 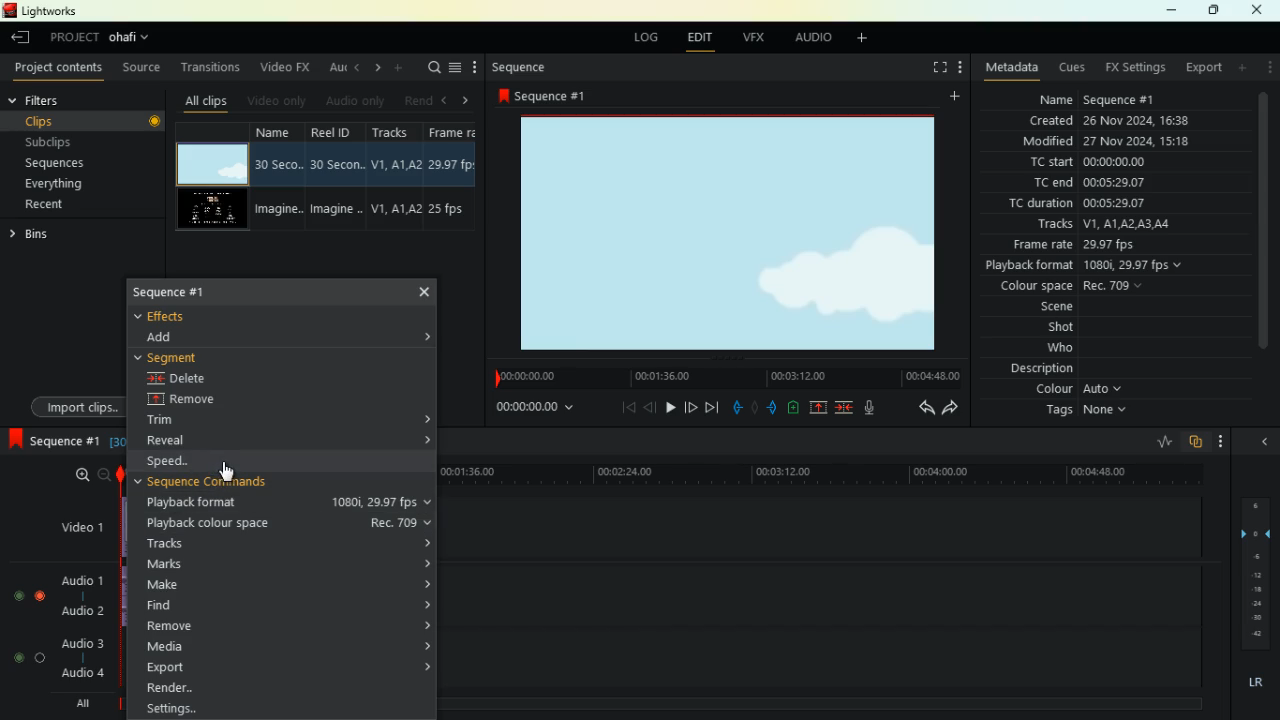 What do you see at coordinates (1252, 573) in the screenshot?
I see `layers` at bounding box center [1252, 573].